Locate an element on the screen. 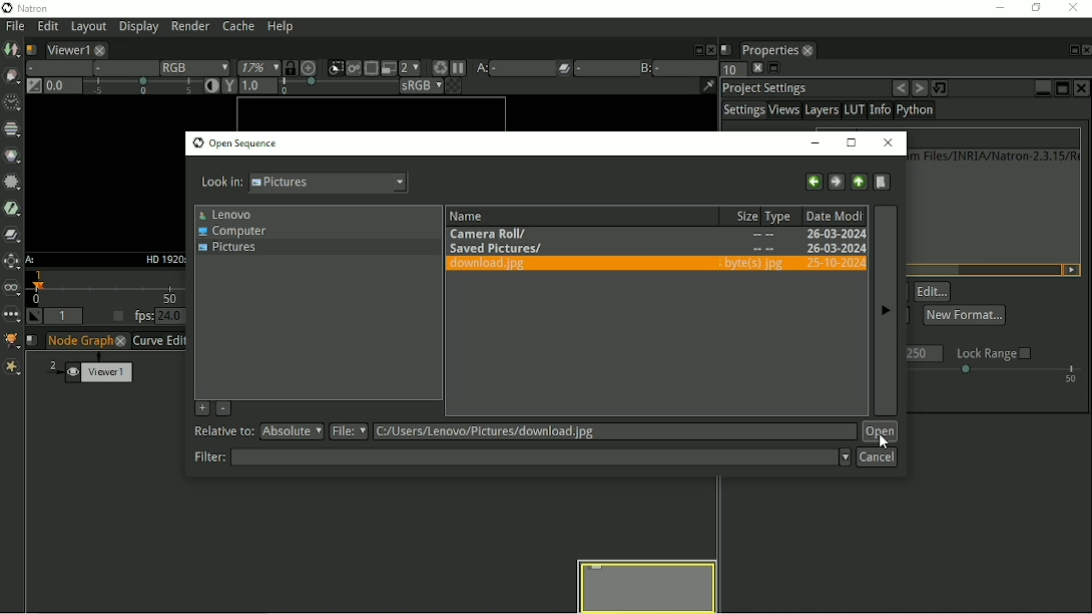  Date modified is located at coordinates (835, 215).